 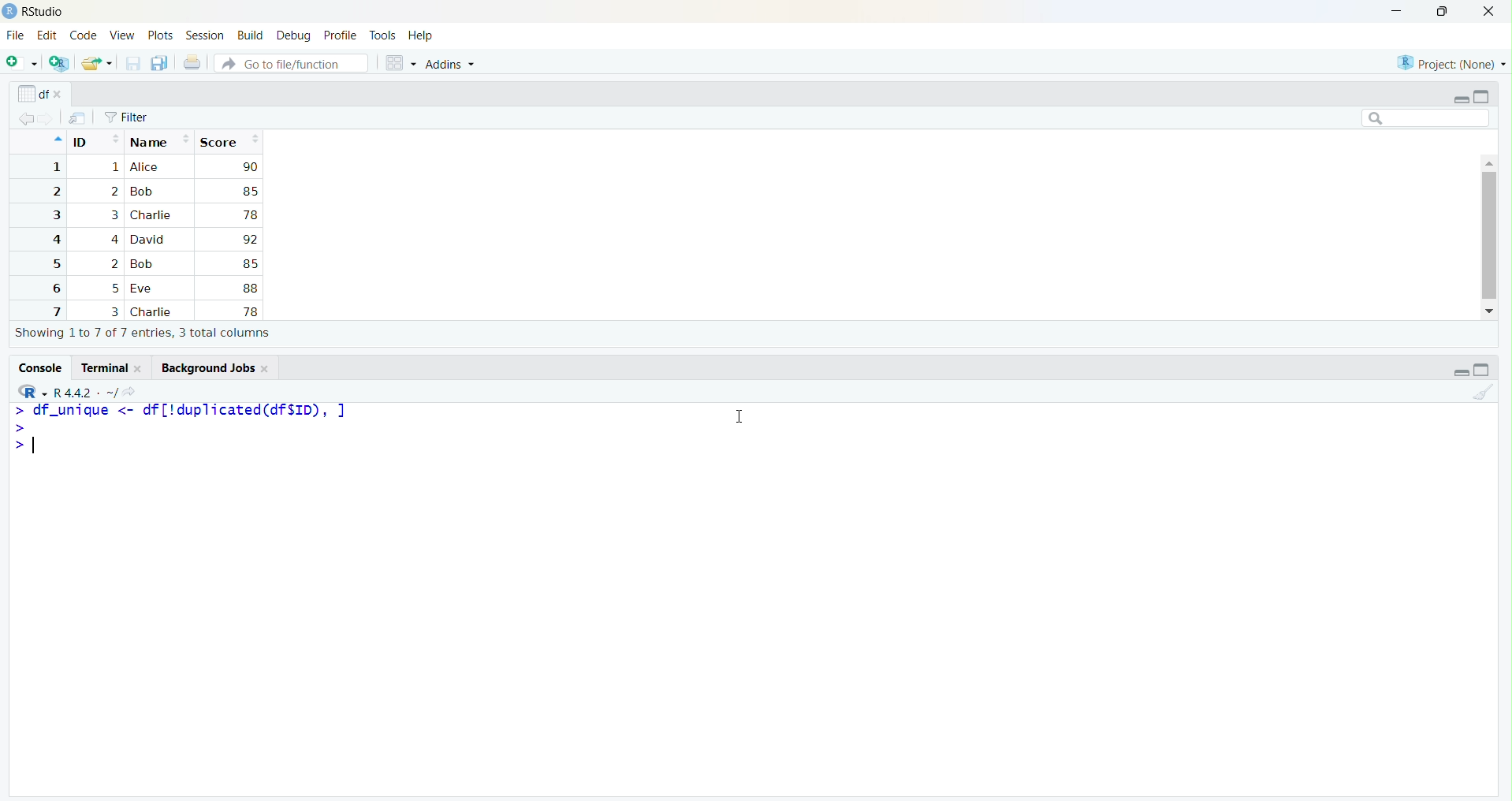 I want to click on minimize, so click(x=1460, y=99).